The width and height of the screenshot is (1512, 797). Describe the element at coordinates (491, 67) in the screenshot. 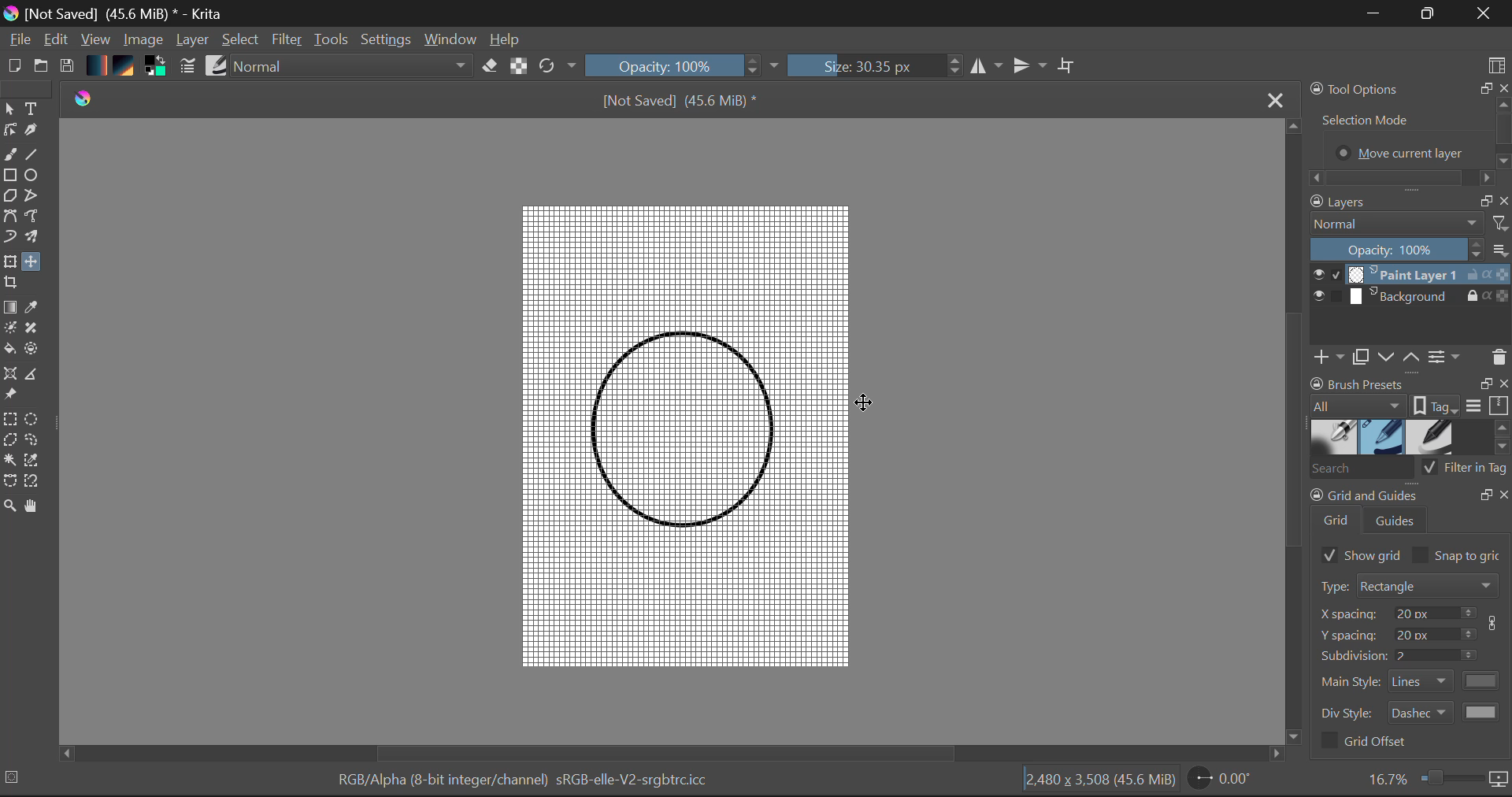

I see `Eraser` at that location.